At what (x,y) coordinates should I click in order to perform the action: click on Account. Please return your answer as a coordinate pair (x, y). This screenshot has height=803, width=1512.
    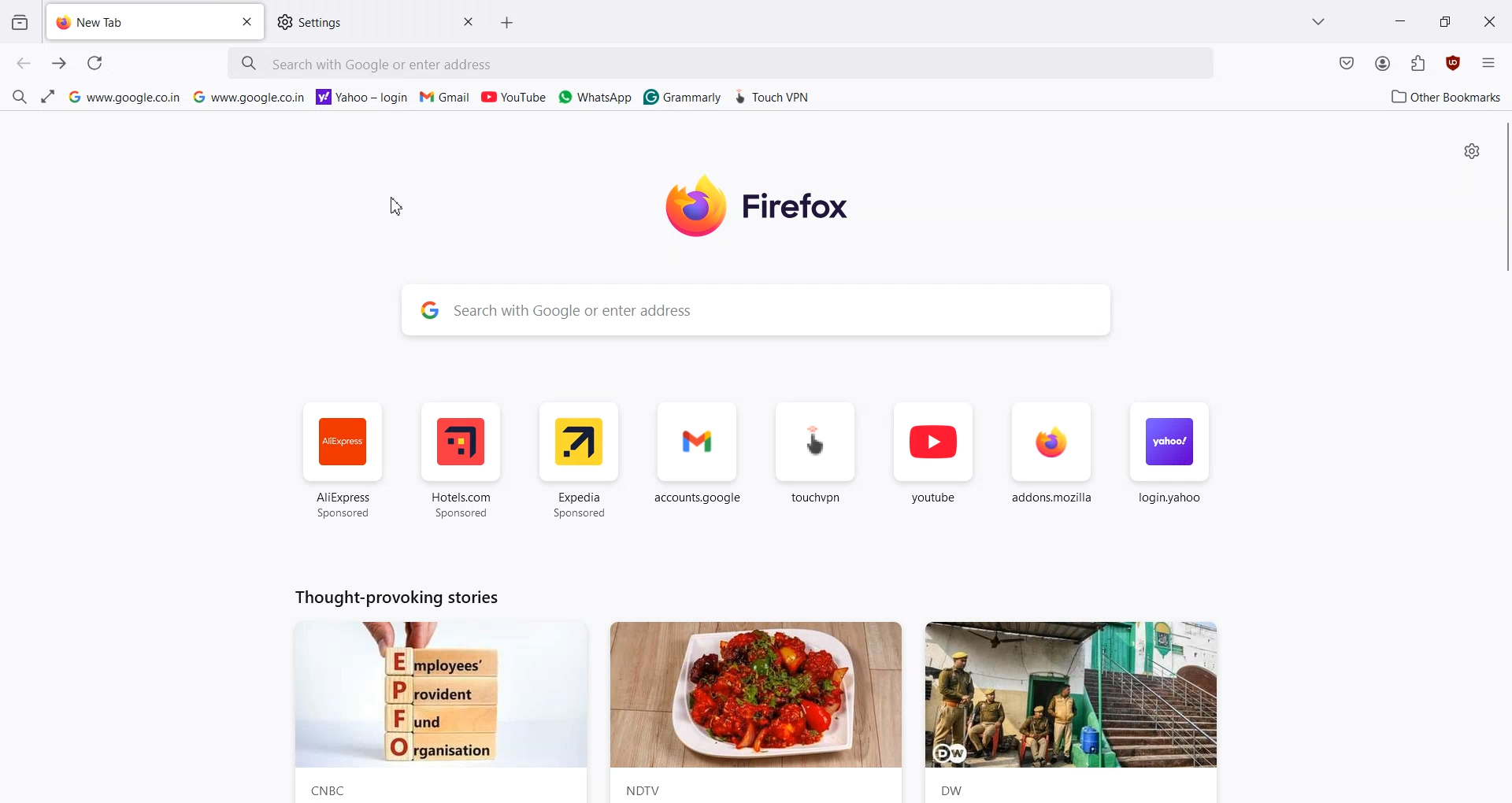
    Looking at the image, I should click on (1383, 64).